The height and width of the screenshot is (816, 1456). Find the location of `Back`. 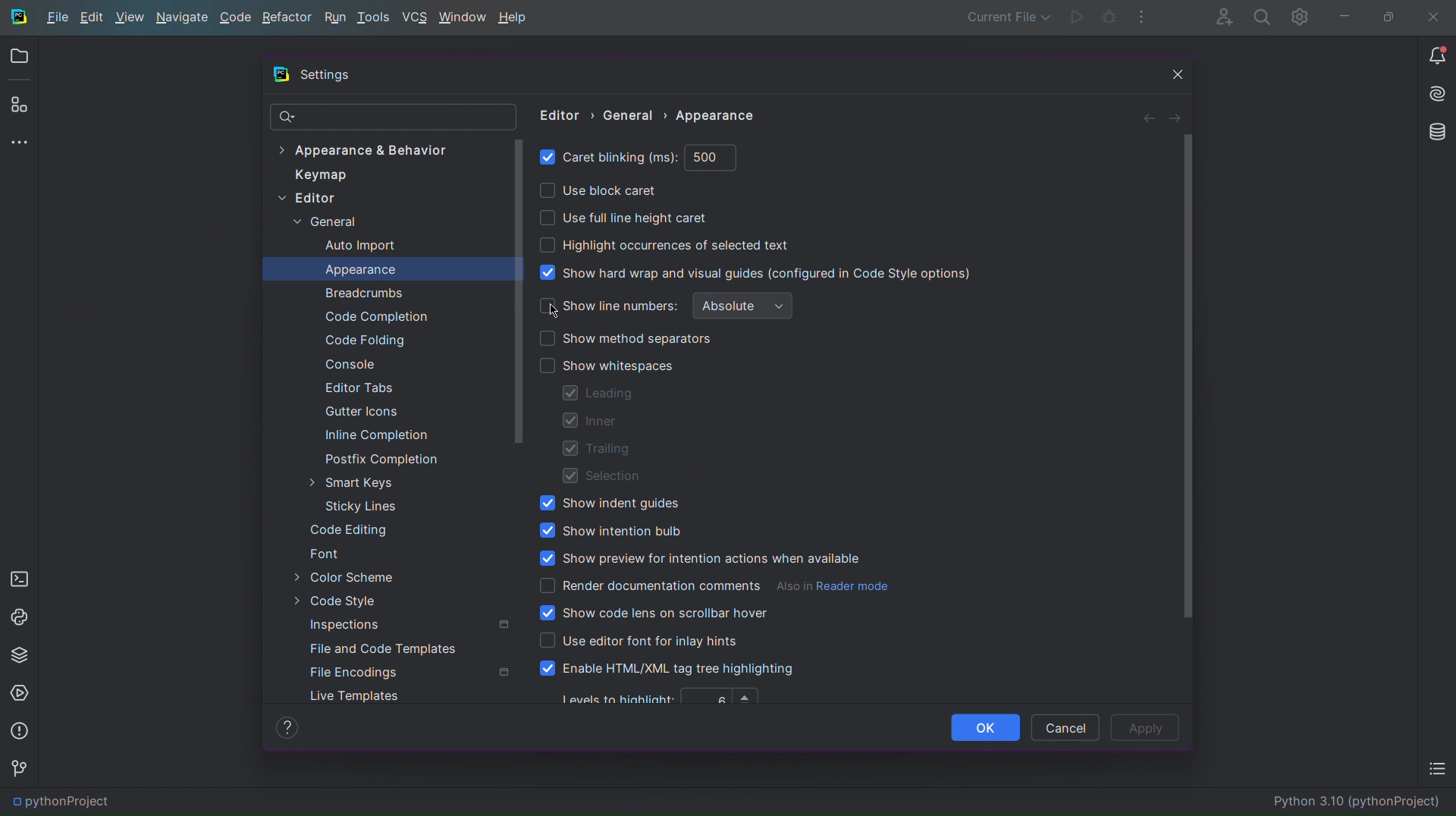

Back is located at coordinates (1145, 117).